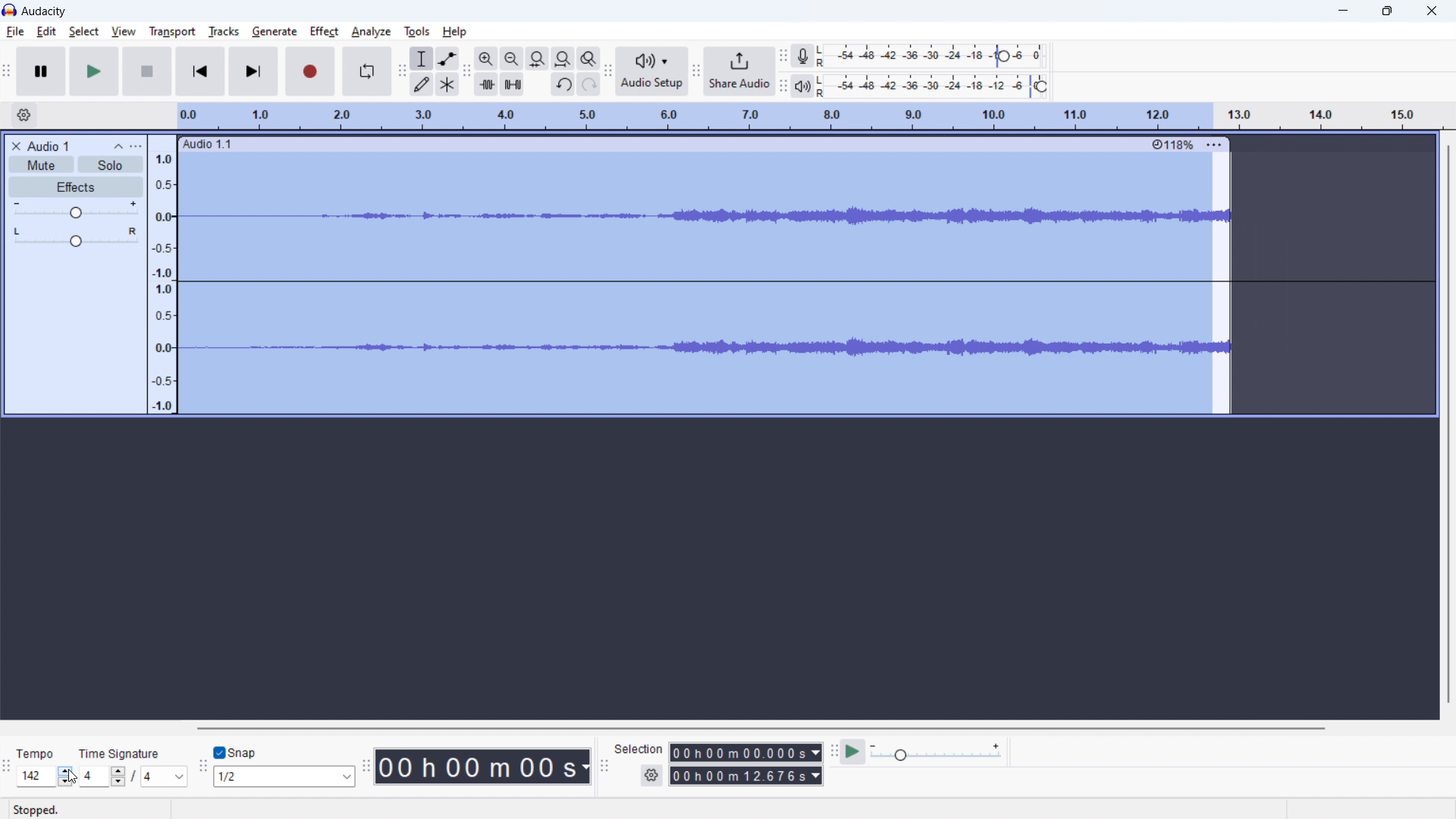 This screenshot has width=1456, height=819. I want to click on start time, so click(746, 752).